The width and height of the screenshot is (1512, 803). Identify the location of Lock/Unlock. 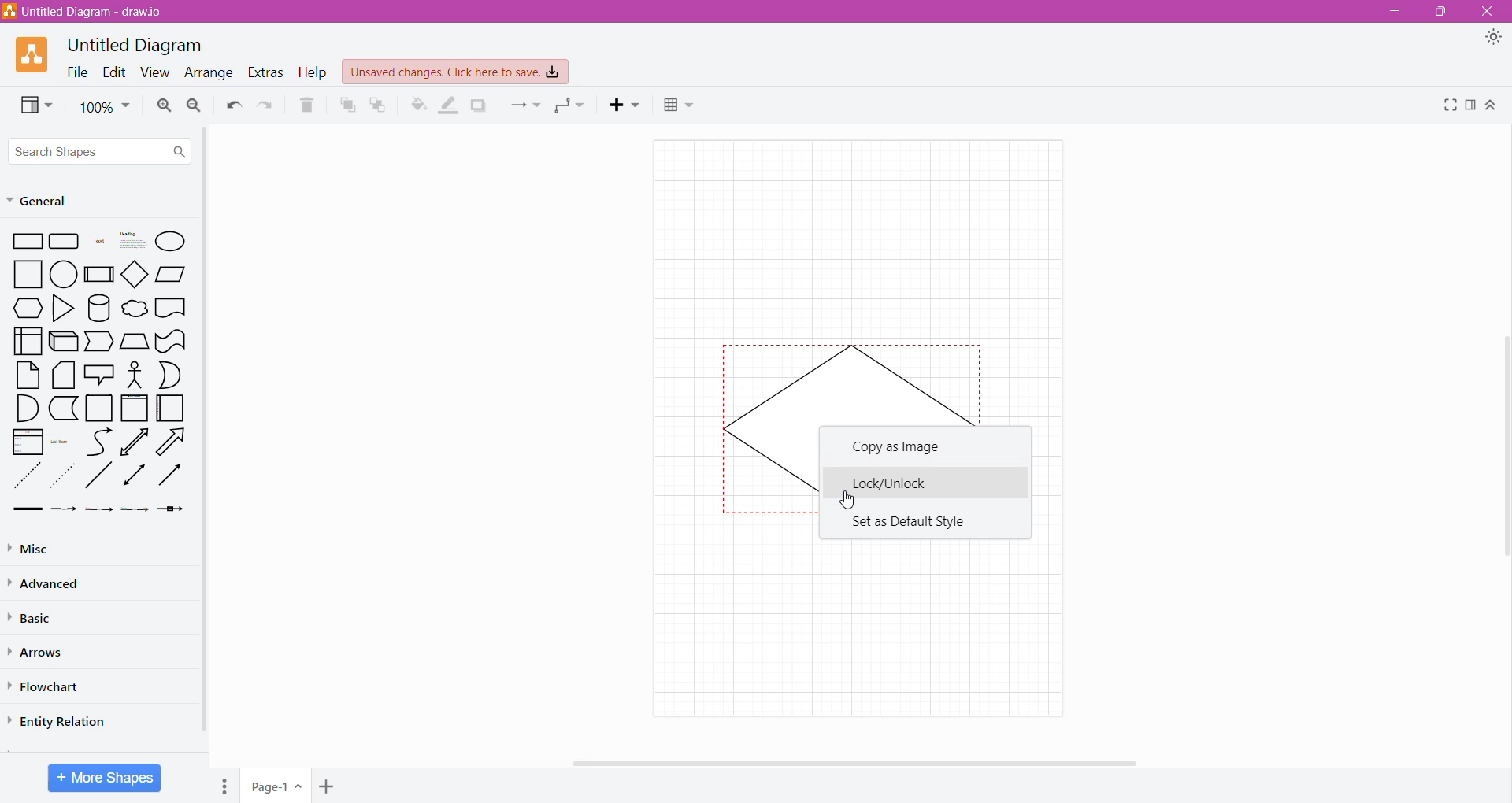
(923, 481).